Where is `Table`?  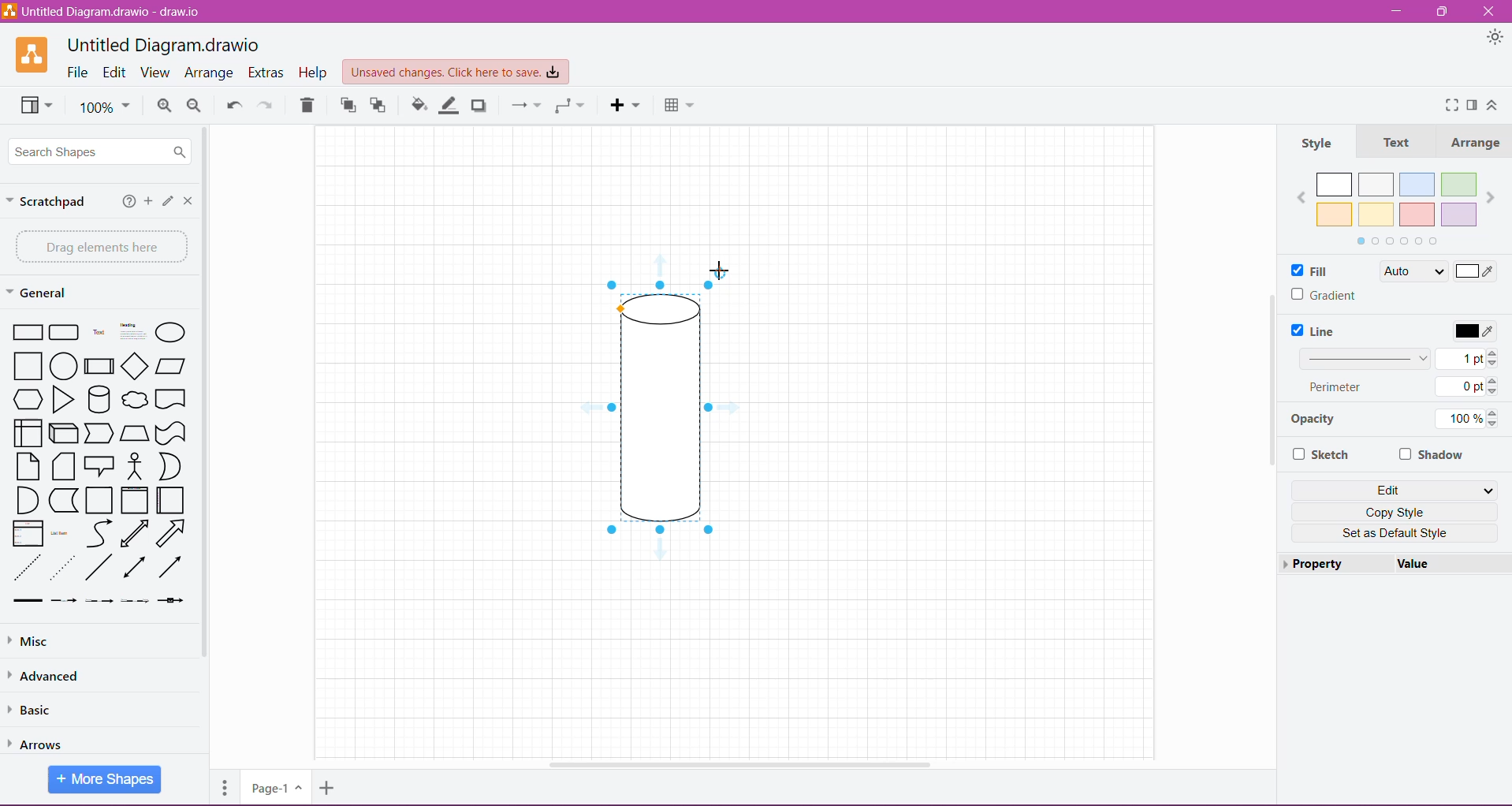
Table is located at coordinates (680, 106).